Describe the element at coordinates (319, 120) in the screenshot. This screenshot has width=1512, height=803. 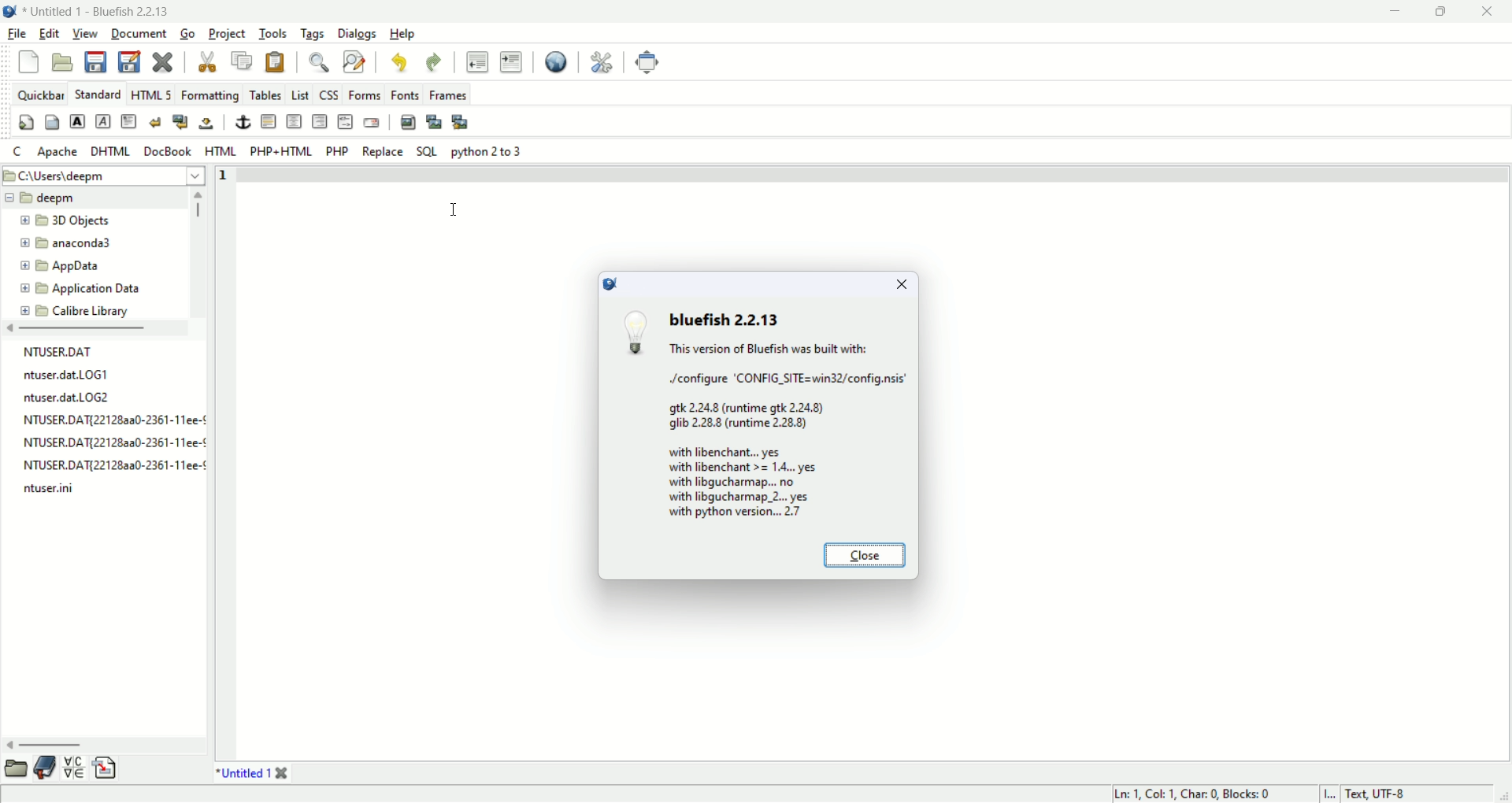
I see `right justify` at that location.